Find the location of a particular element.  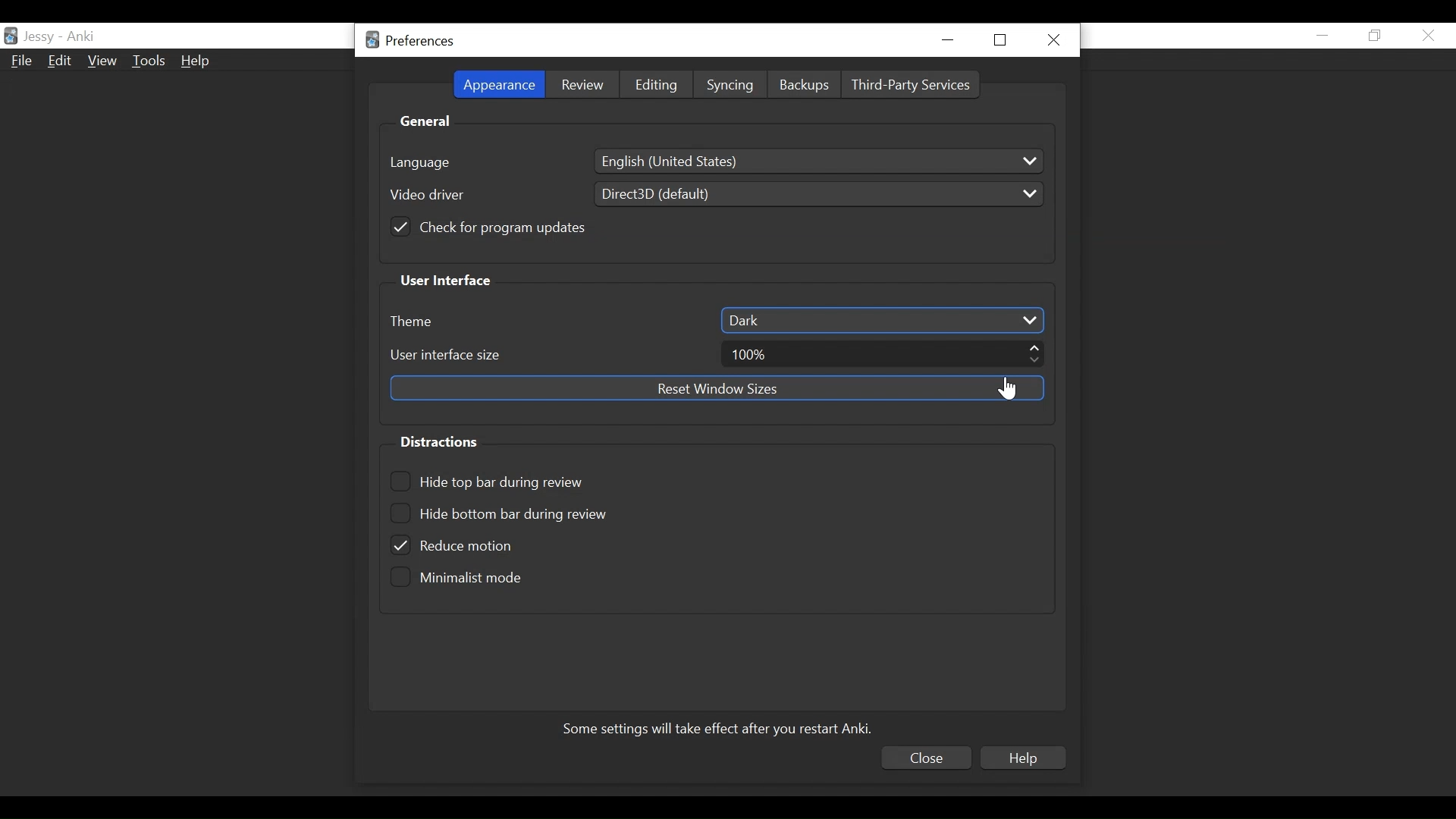

Edit is located at coordinates (60, 60).